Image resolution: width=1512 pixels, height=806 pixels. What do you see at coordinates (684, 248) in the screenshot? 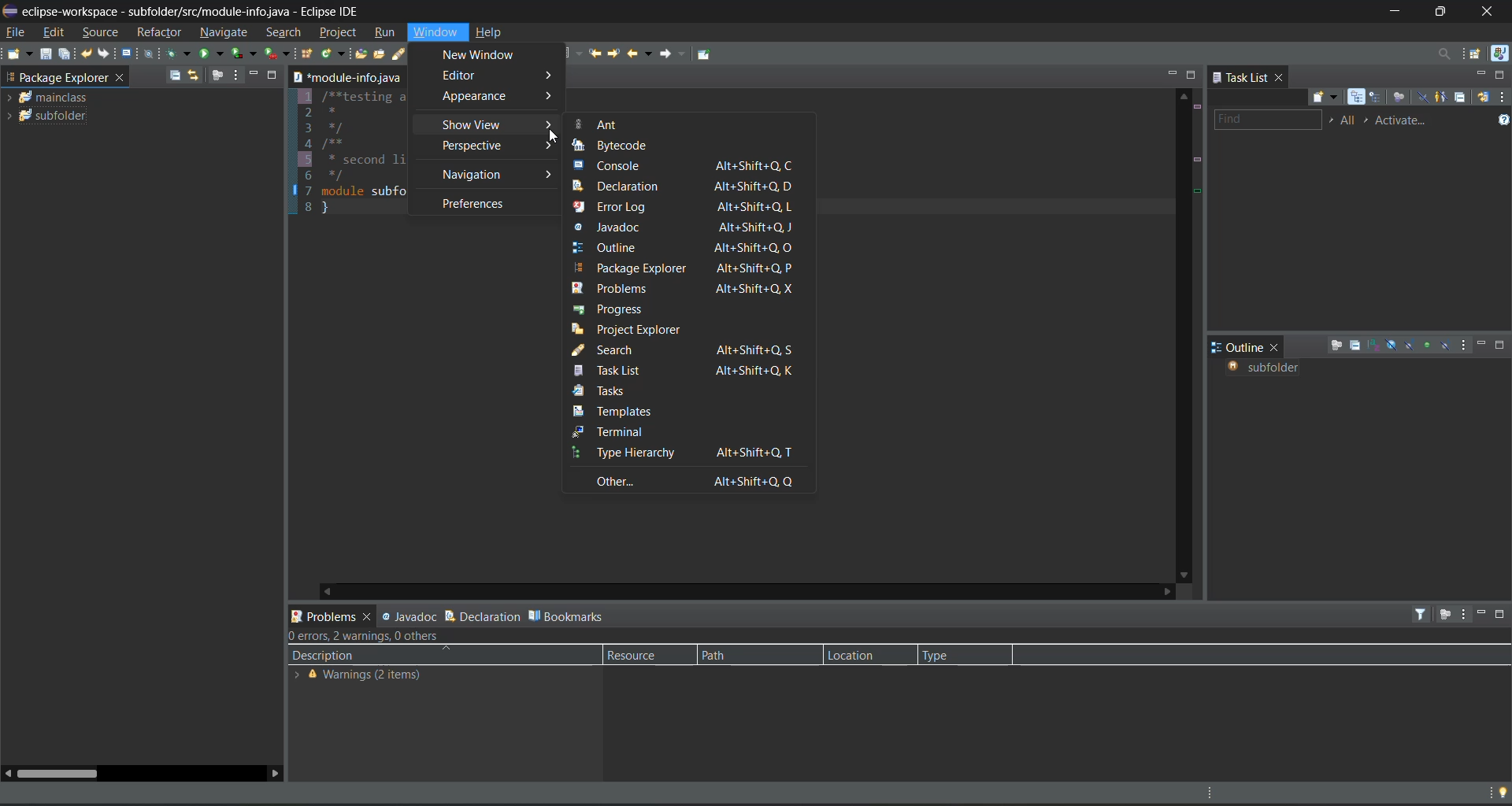
I see `outline` at bounding box center [684, 248].